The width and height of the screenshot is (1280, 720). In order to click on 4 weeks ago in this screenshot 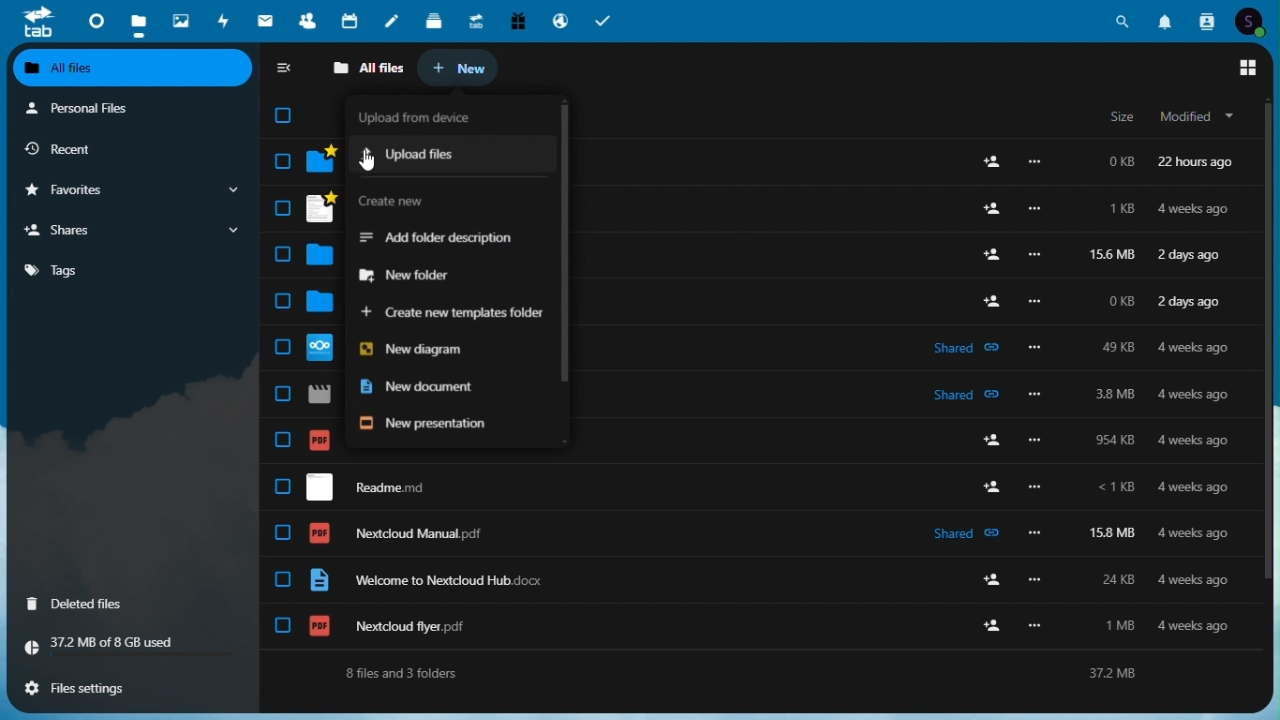, I will do `click(1192, 210)`.